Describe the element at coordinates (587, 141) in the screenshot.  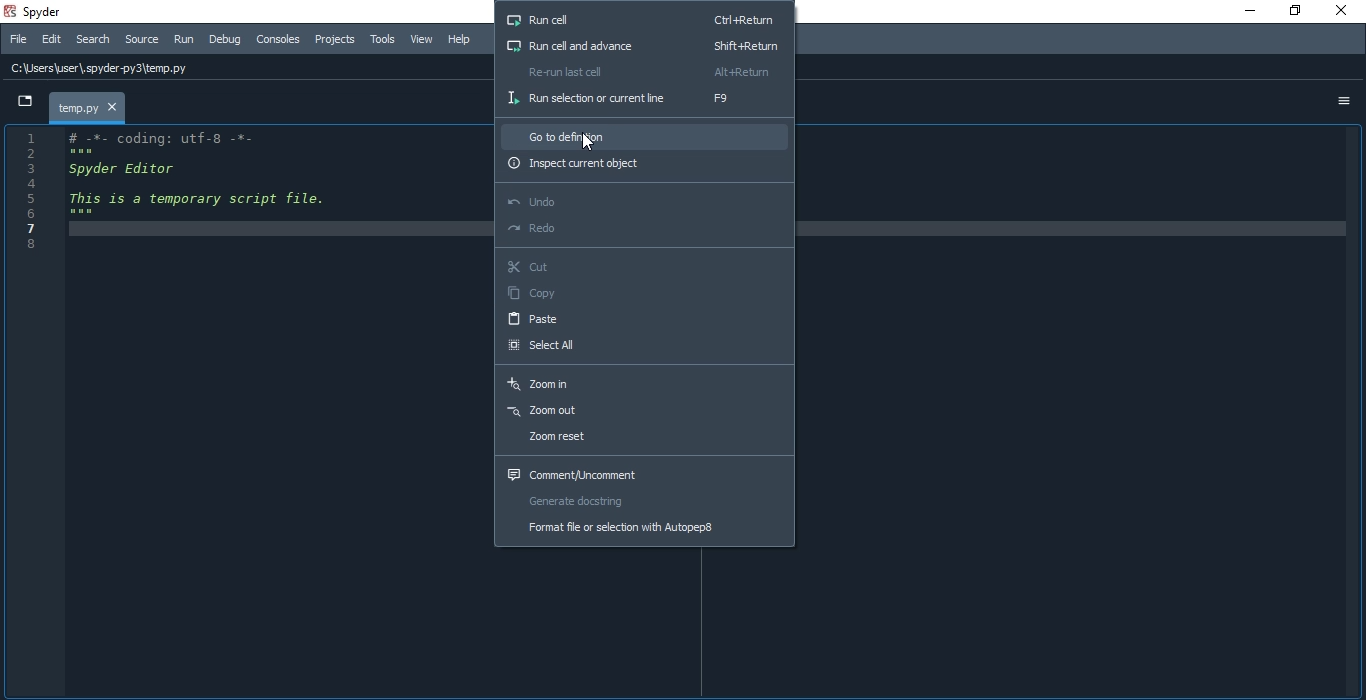
I see `cursor` at that location.